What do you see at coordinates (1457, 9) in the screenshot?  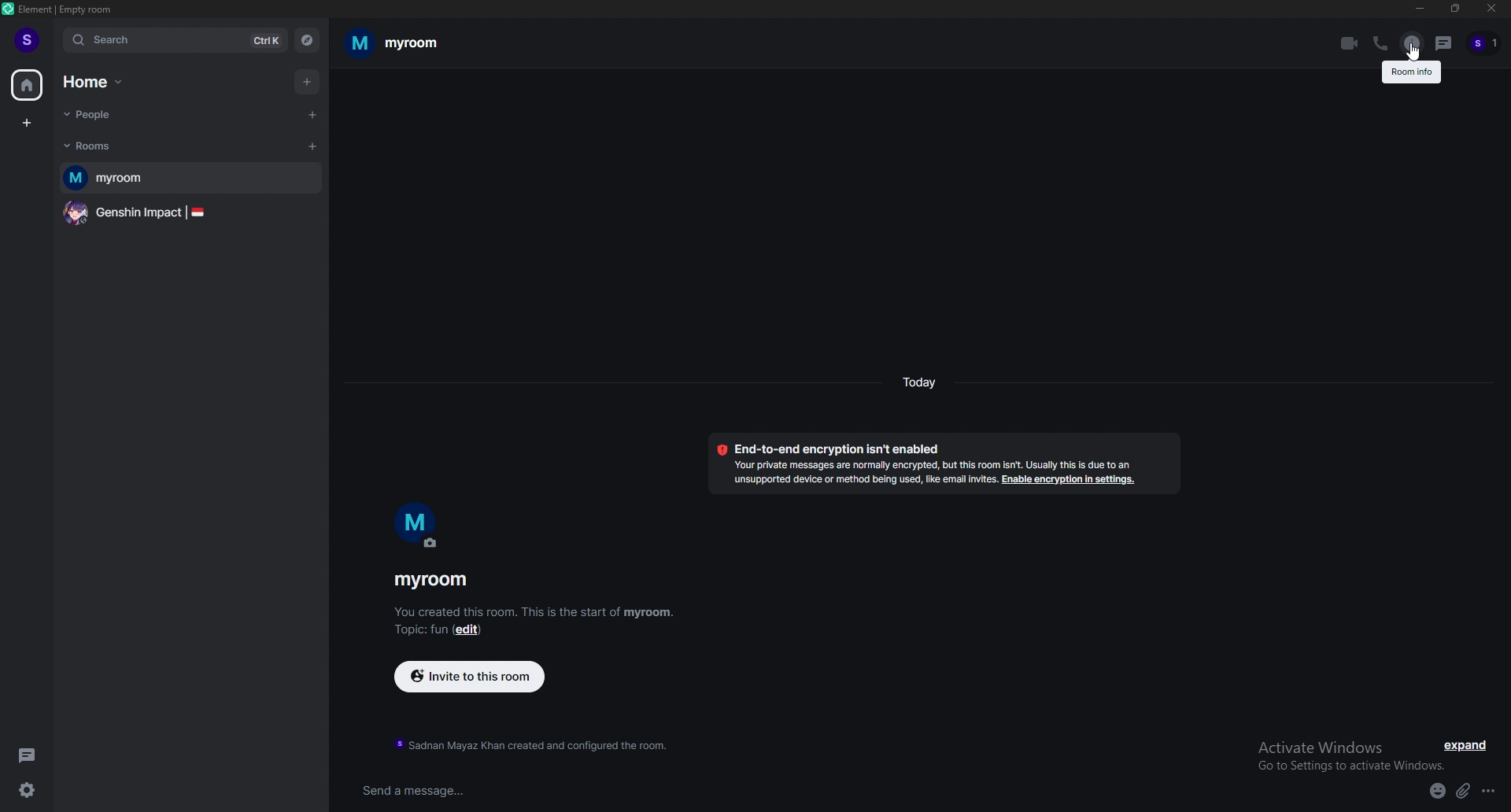 I see `resize` at bounding box center [1457, 9].